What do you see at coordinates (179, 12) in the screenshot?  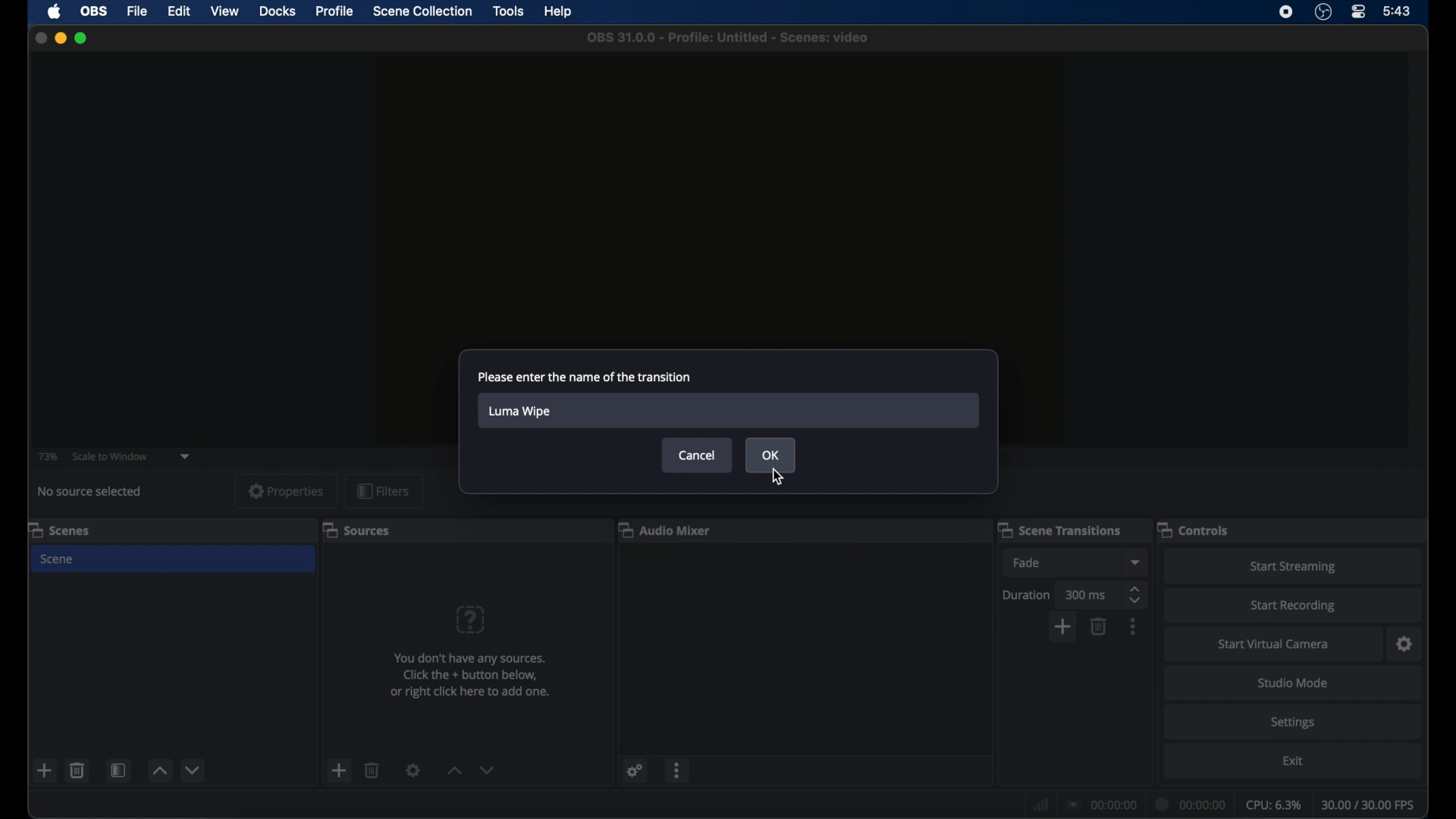 I see `edit` at bounding box center [179, 12].